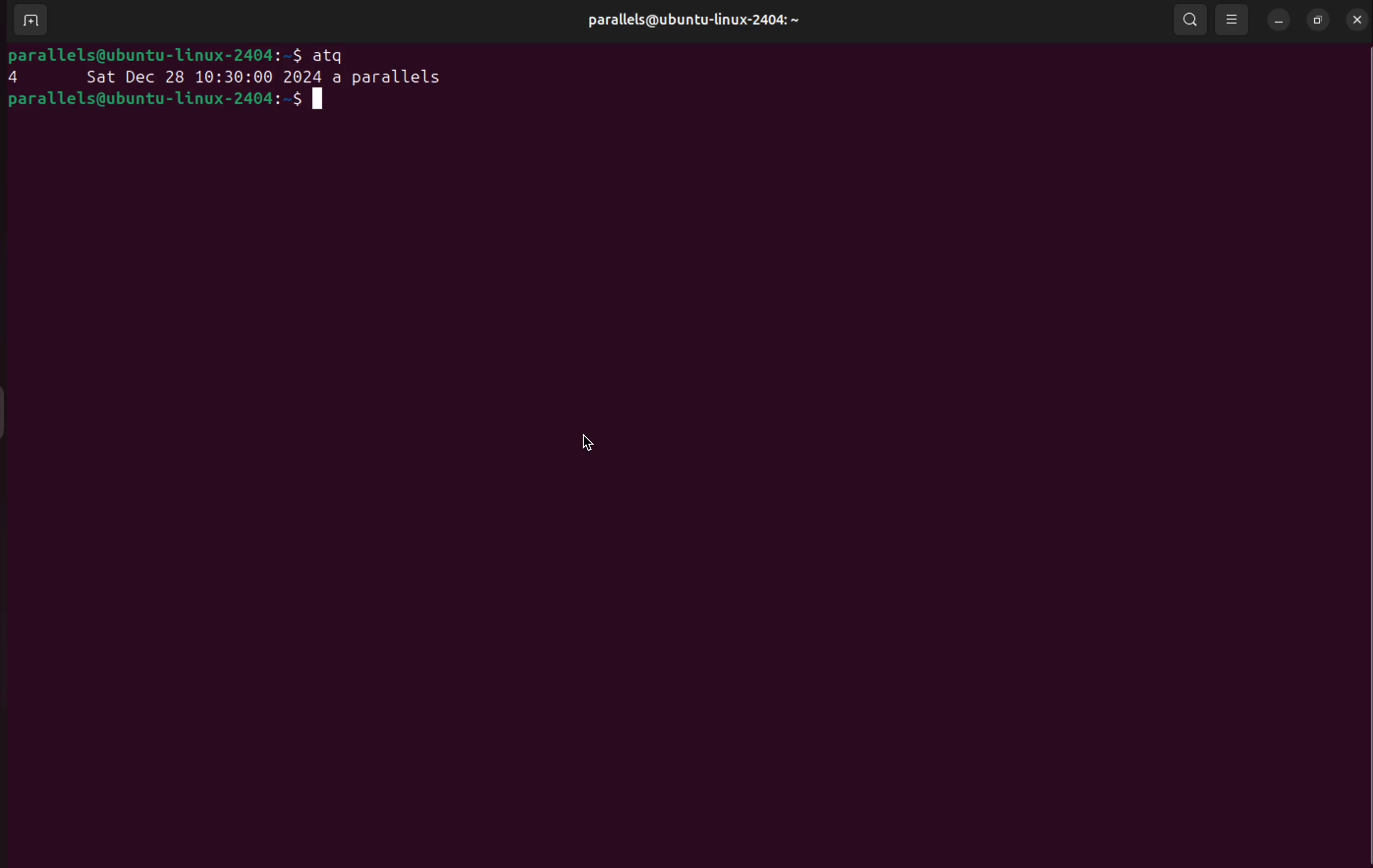 This screenshot has width=1373, height=868. I want to click on minimize, so click(1278, 19).